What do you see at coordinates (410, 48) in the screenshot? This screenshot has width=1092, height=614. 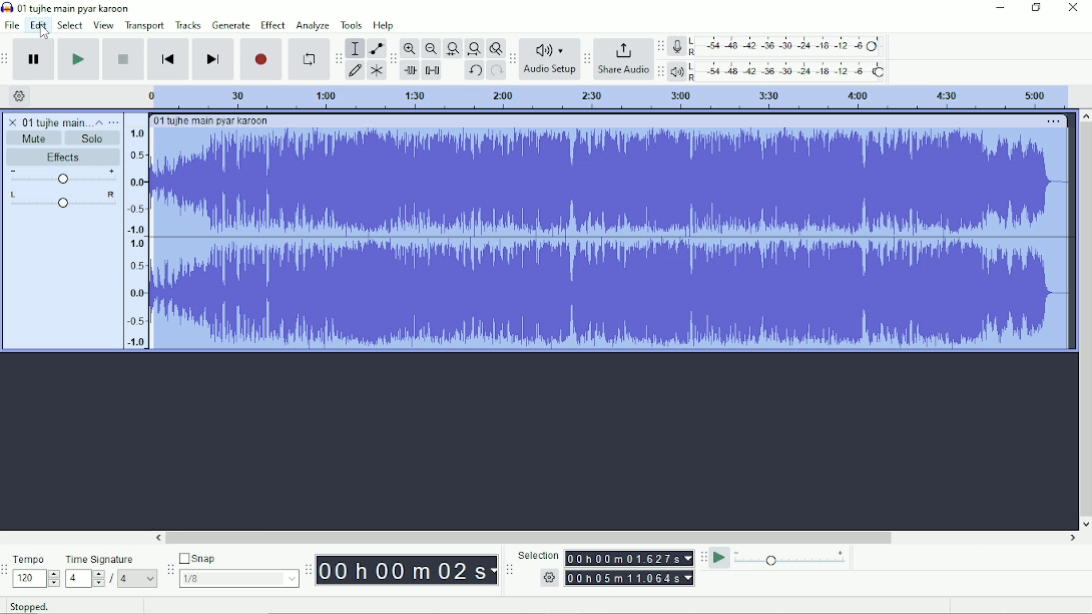 I see `Zoom In` at bounding box center [410, 48].